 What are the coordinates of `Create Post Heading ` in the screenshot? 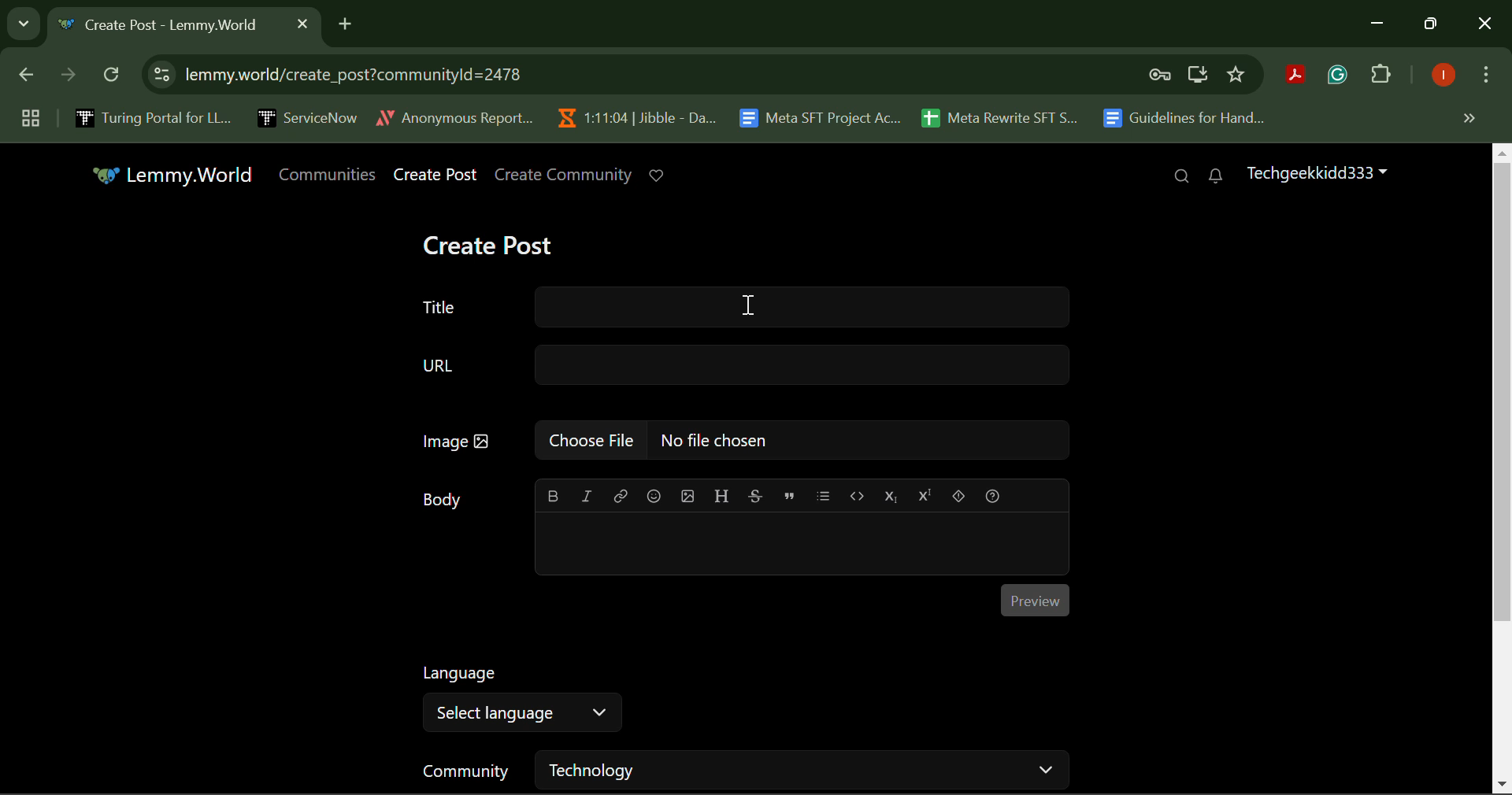 It's located at (487, 243).